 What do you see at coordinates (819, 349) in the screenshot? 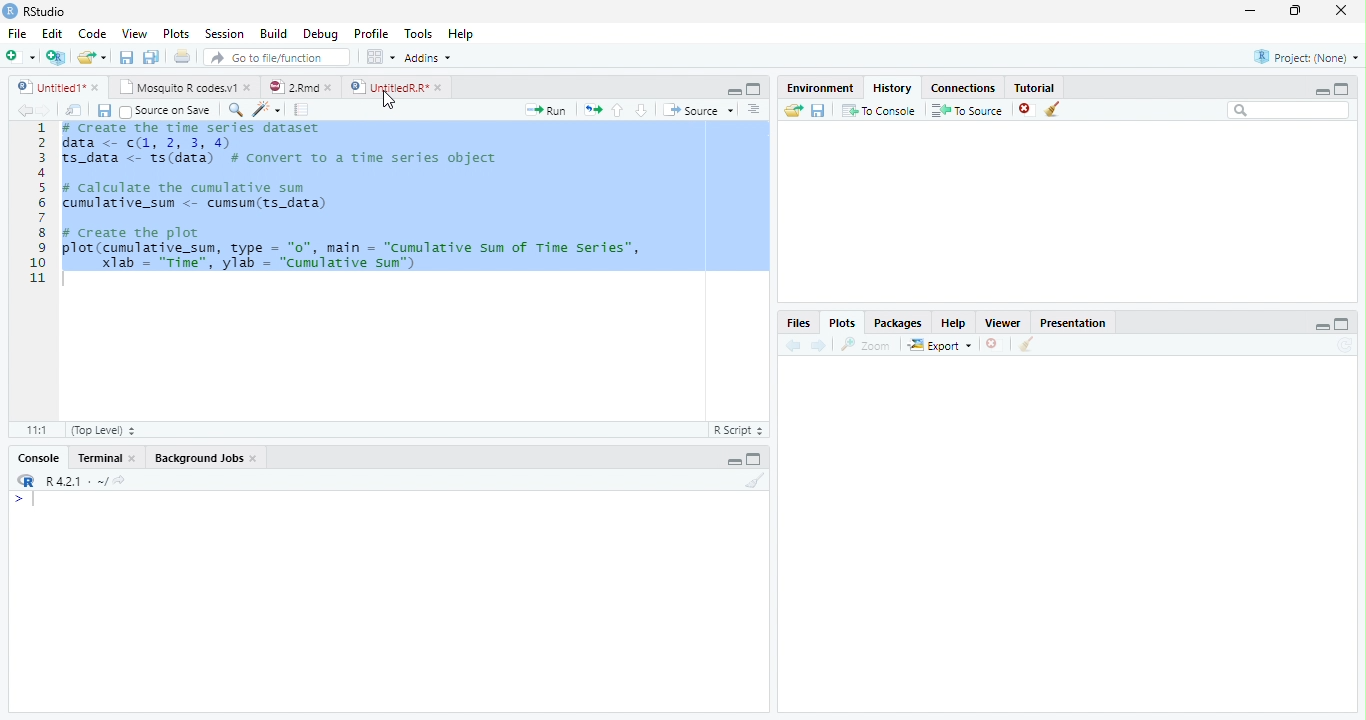
I see `Next` at bounding box center [819, 349].